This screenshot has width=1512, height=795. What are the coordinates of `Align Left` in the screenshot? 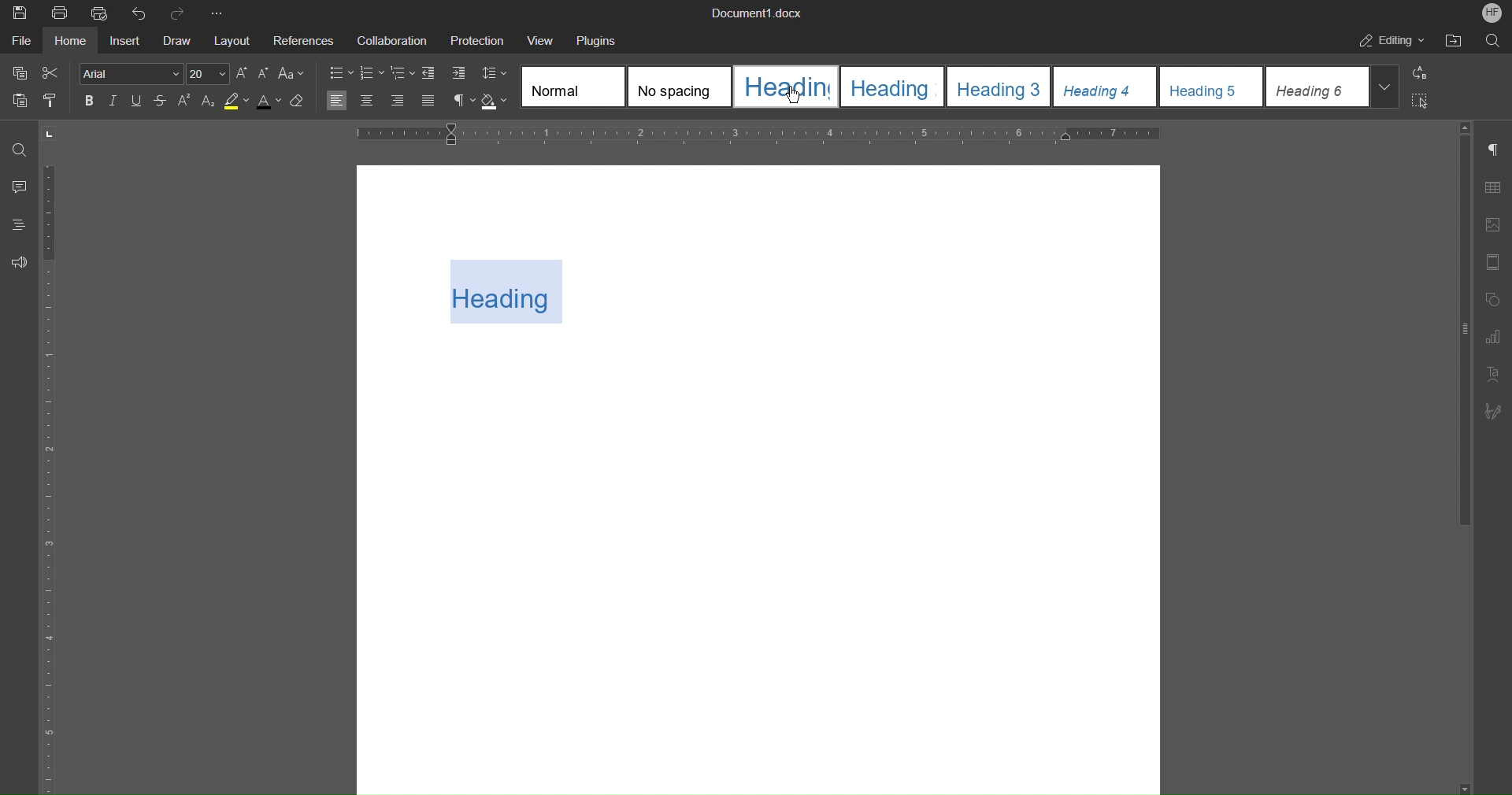 It's located at (338, 101).